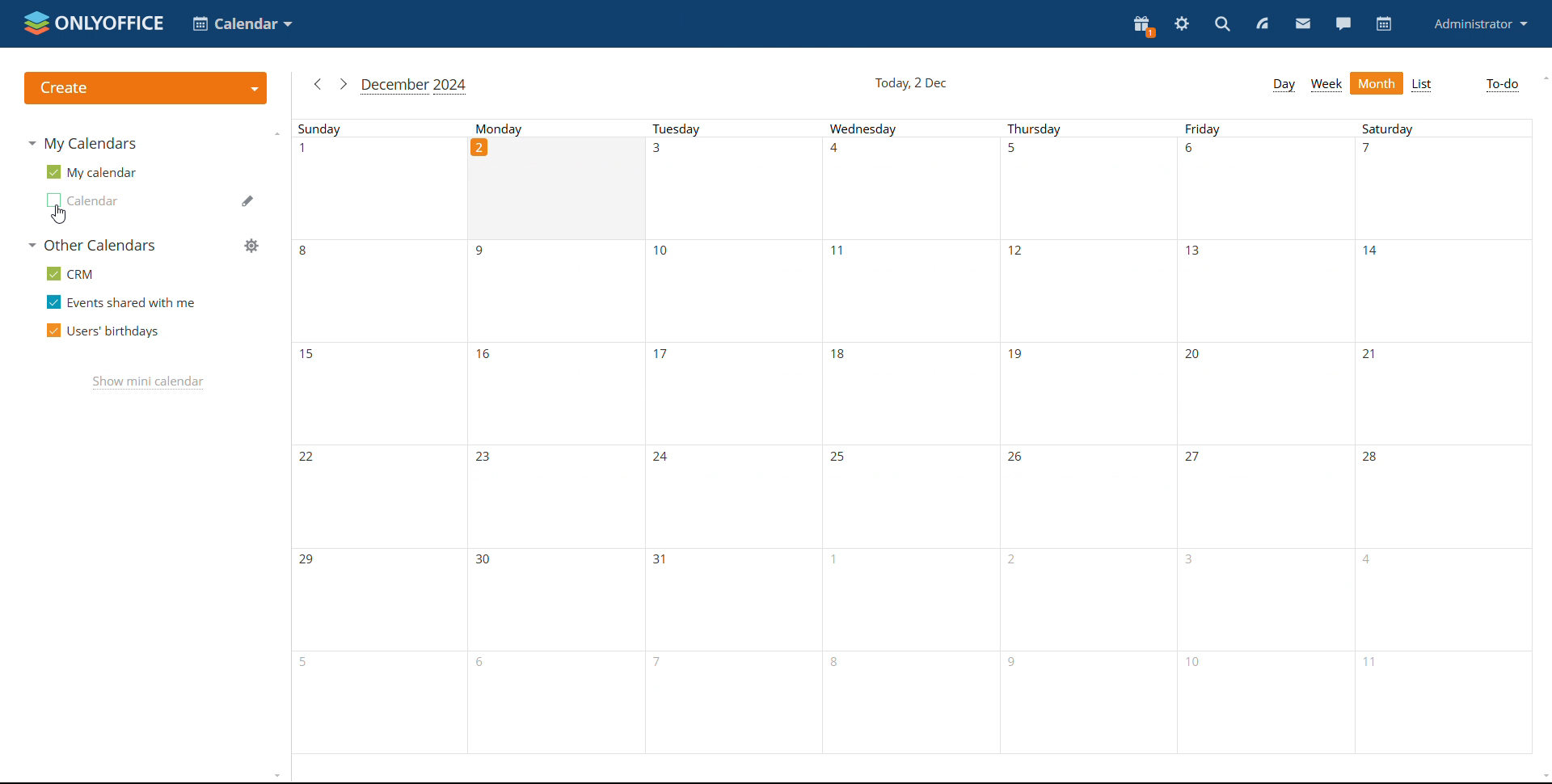  Describe the element at coordinates (148, 382) in the screenshot. I see `show mini calendar` at that location.